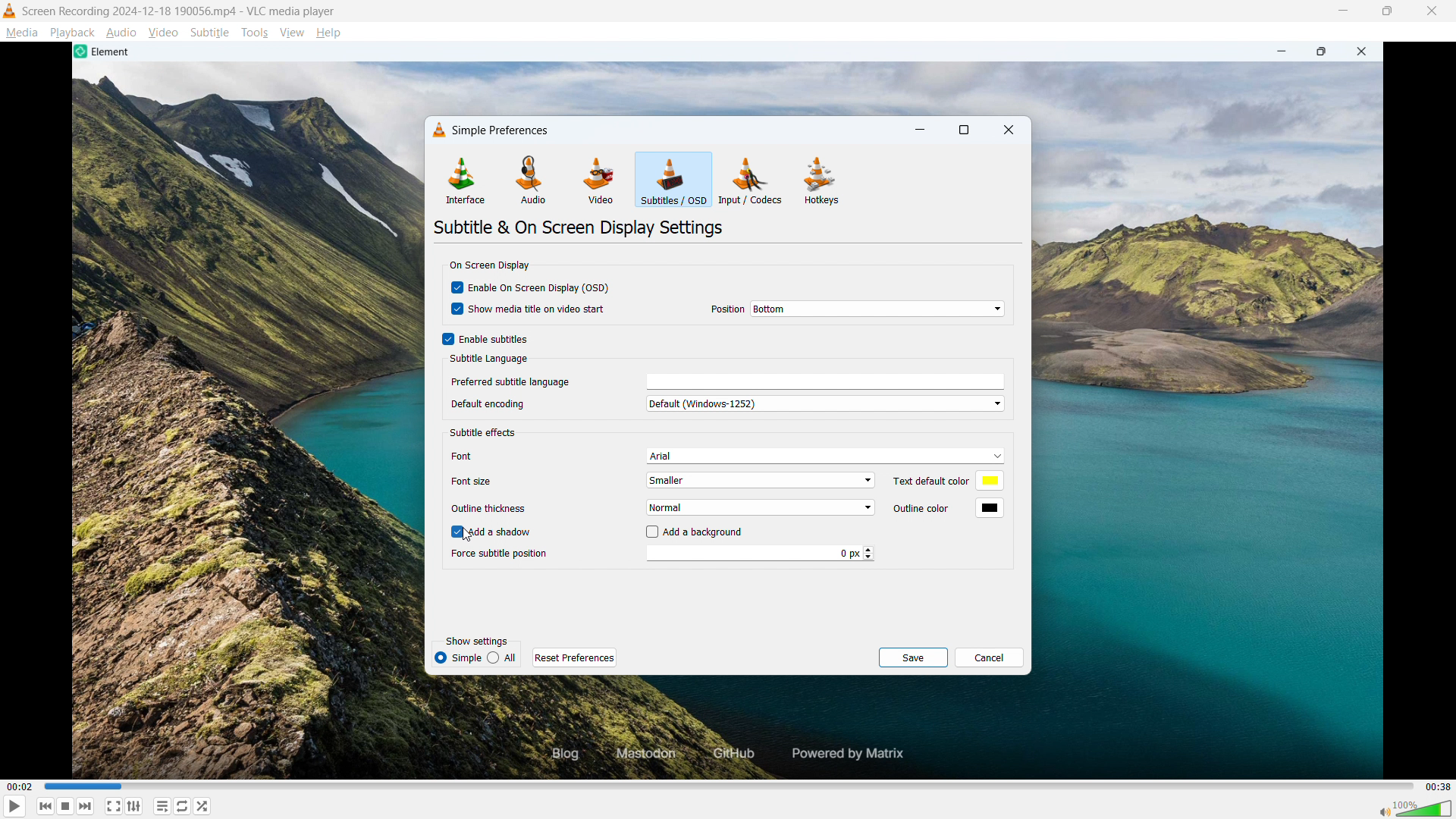 This screenshot has height=819, width=1456. Describe the element at coordinates (490, 404) in the screenshot. I see `Default encoding` at that location.